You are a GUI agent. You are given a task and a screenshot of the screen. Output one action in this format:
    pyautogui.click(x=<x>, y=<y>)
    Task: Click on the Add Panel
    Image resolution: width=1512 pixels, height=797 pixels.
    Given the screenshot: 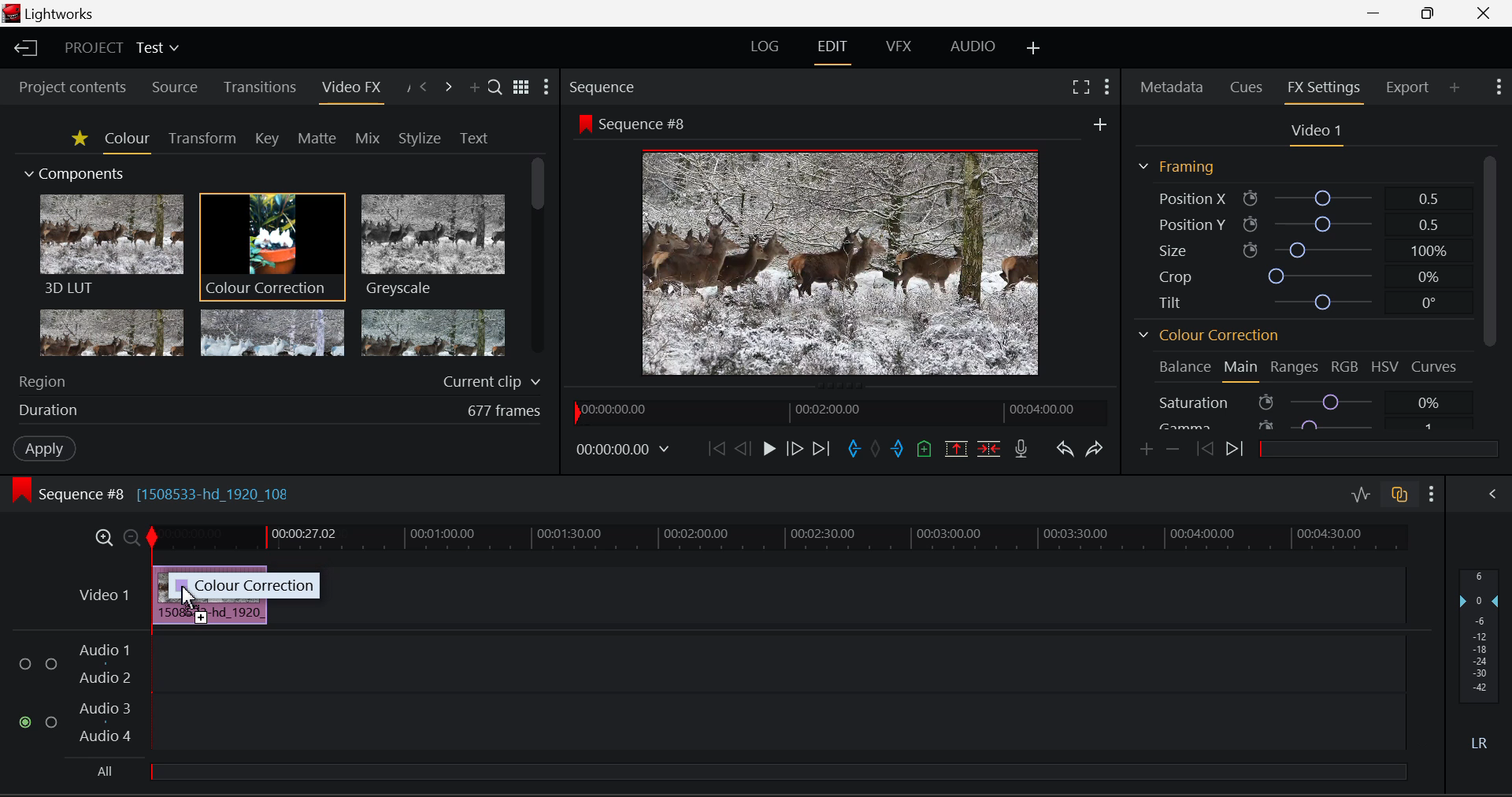 What is the action you would take?
    pyautogui.click(x=1454, y=85)
    